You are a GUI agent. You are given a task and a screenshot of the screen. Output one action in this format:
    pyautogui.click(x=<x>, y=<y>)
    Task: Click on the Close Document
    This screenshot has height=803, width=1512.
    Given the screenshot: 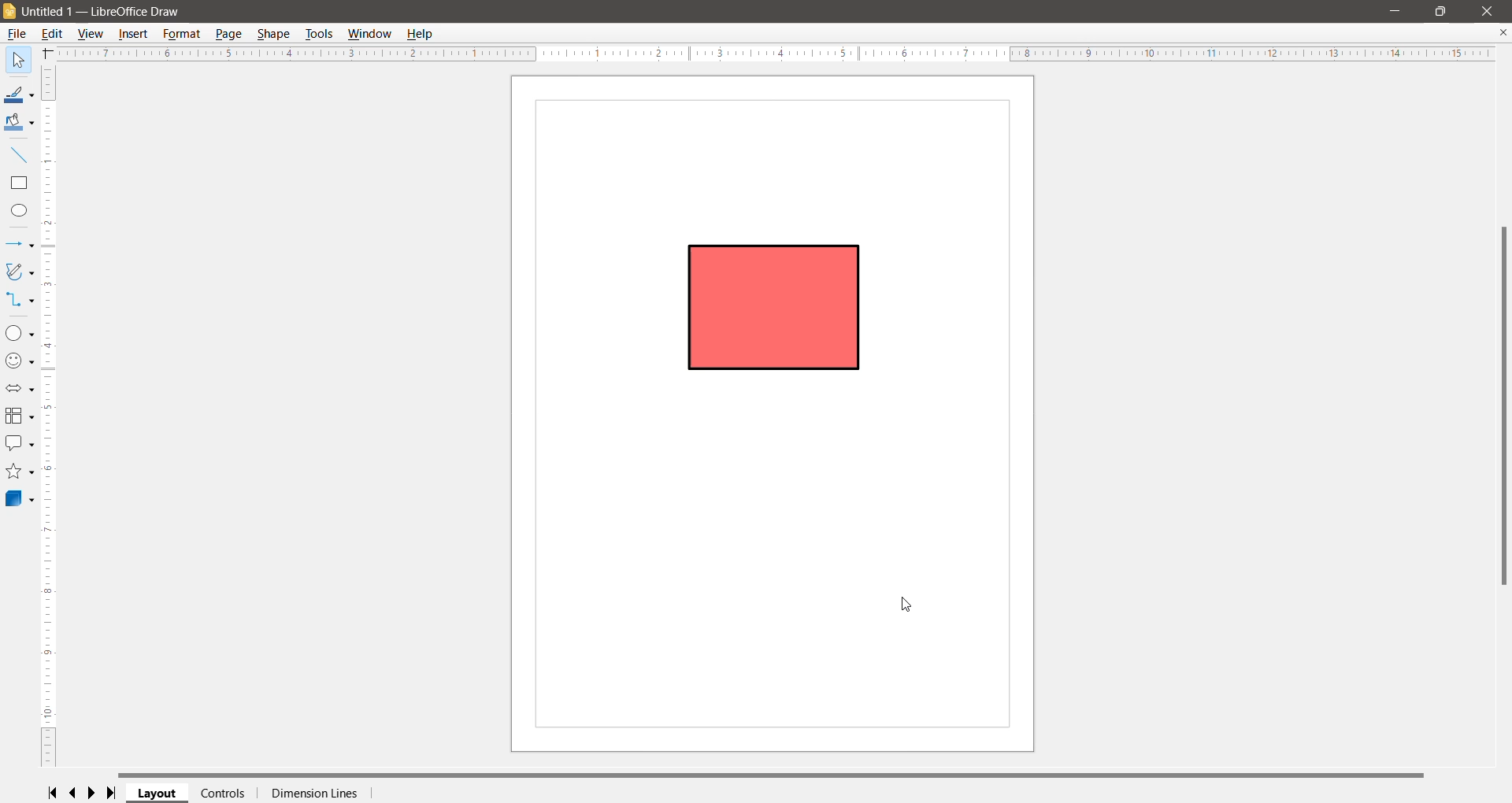 What is the action you would take?
    pyautogui.click(x=1503, y=32)
    